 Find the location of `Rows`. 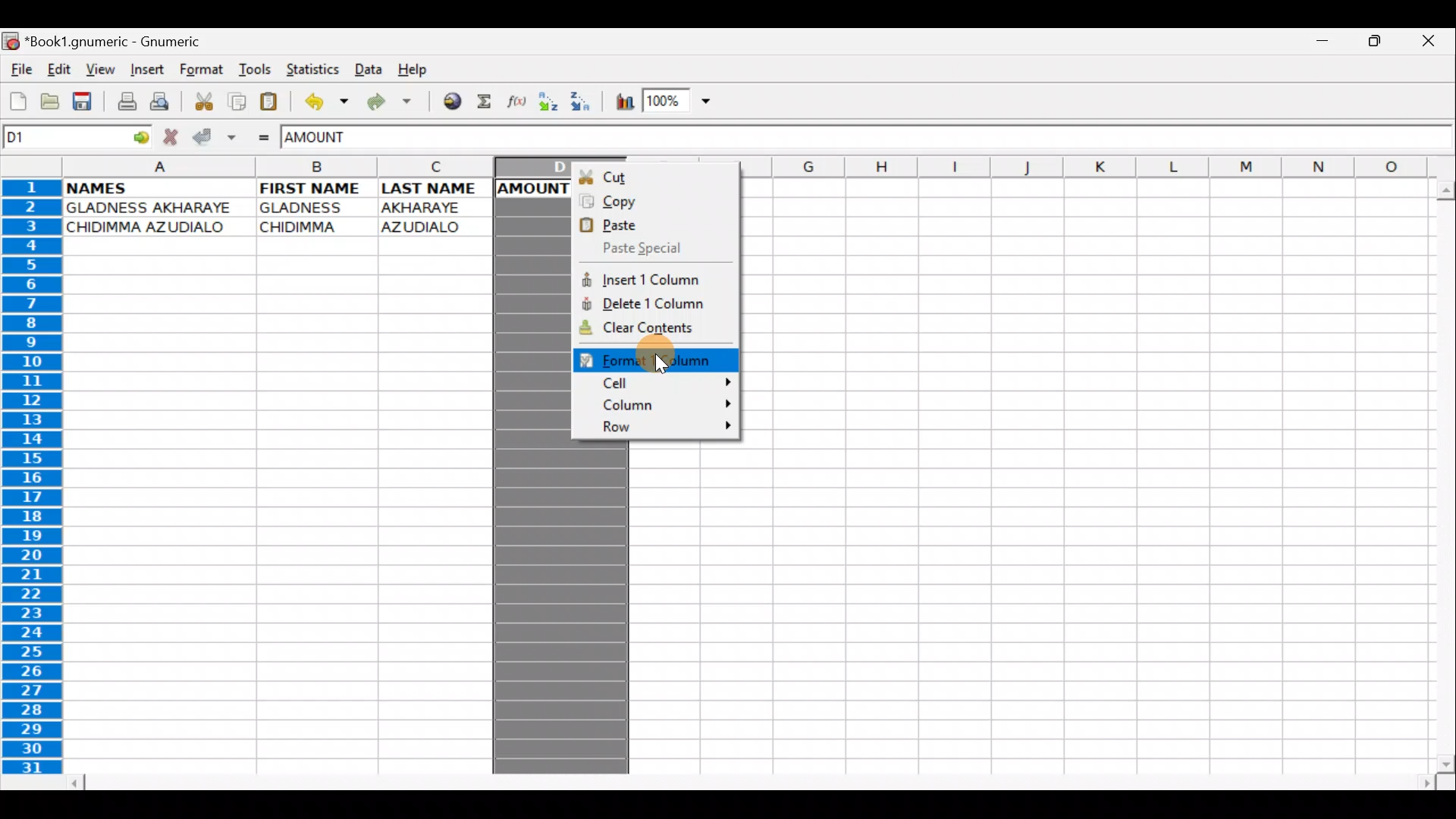

Rows is located at coordinates (33, 480).